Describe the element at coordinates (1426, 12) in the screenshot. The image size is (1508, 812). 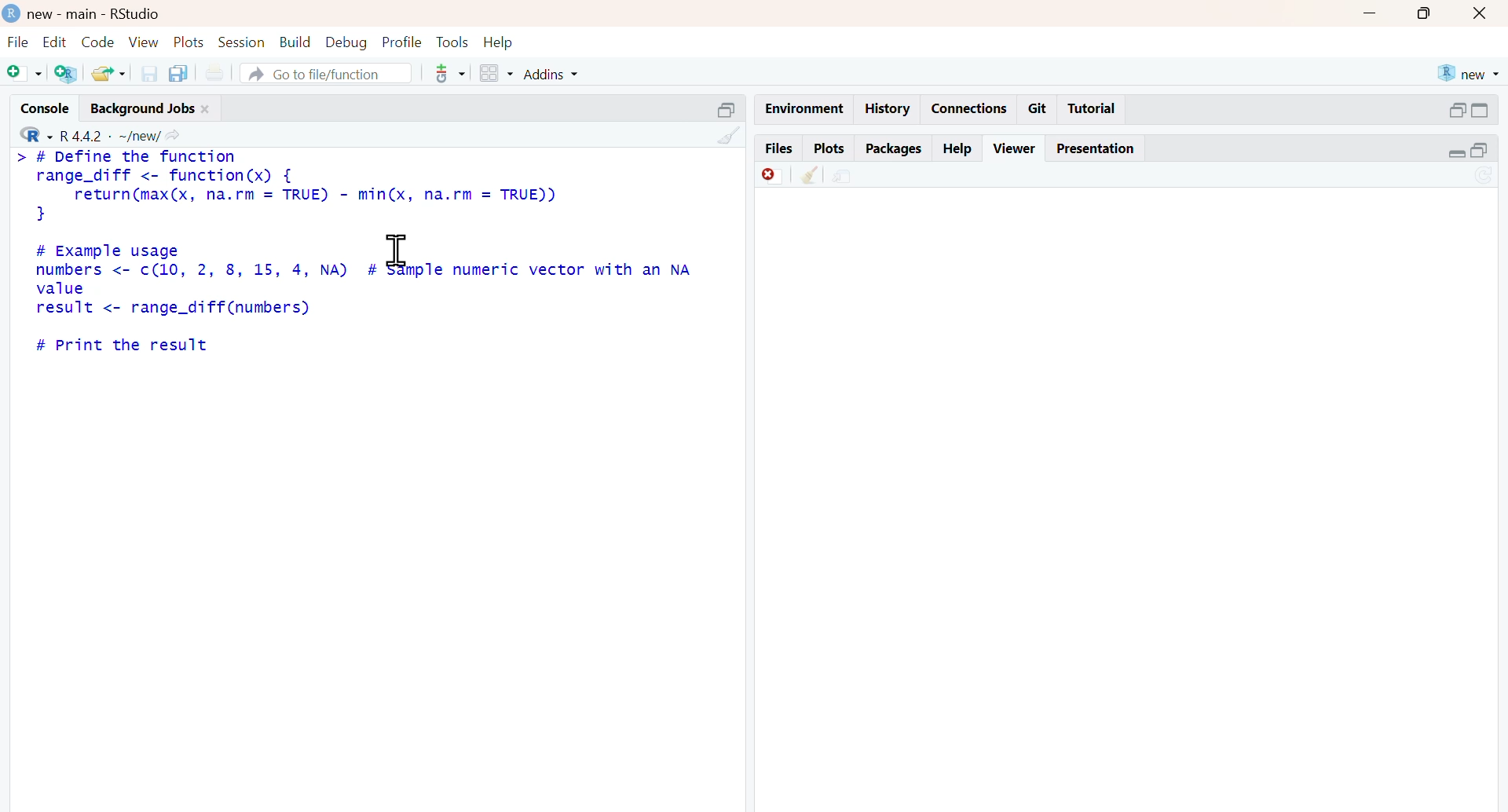
I see `maximise` at that location.